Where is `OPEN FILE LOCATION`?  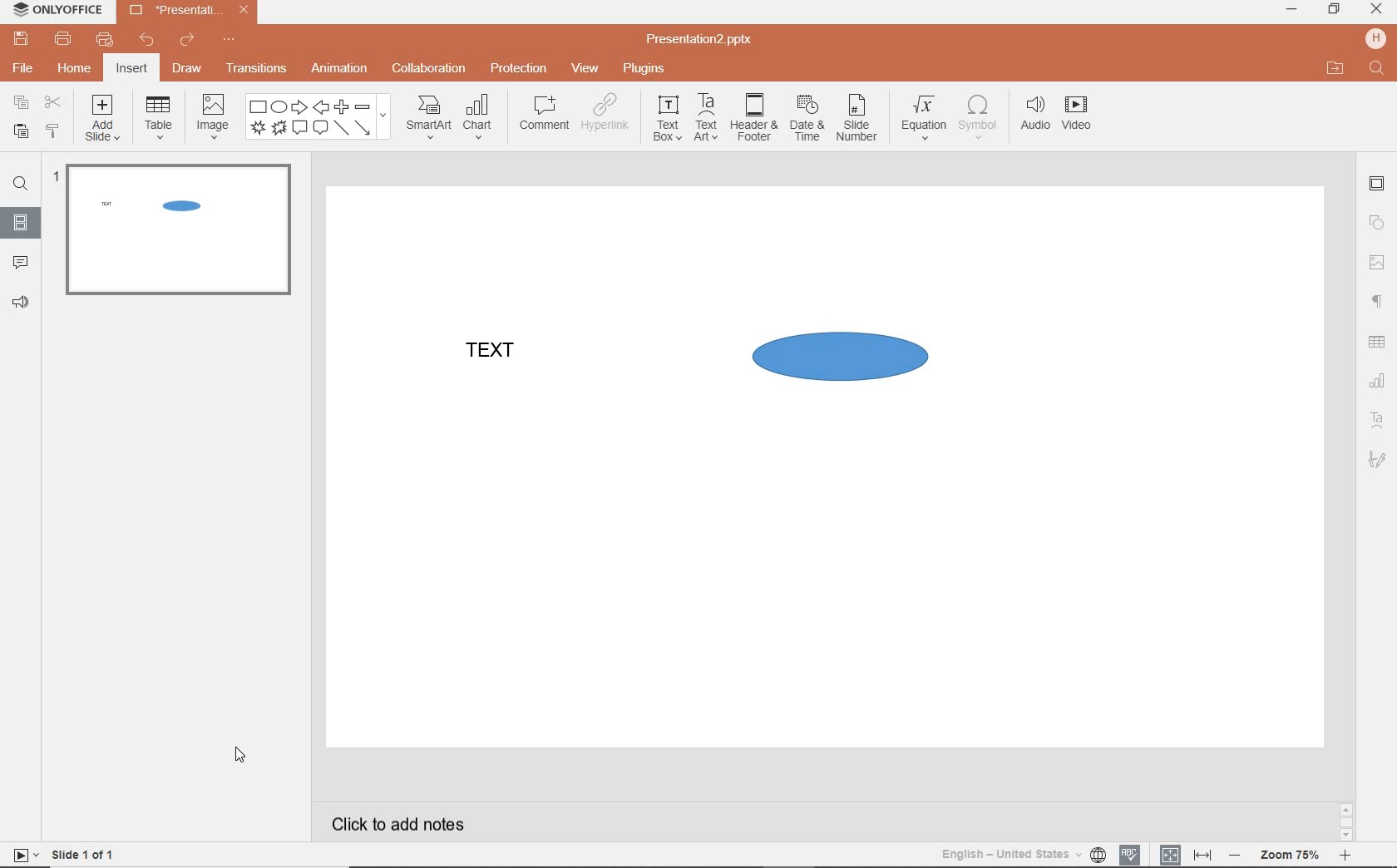
OPEN FILE LOCATION is located at coordinates (1333, 66).